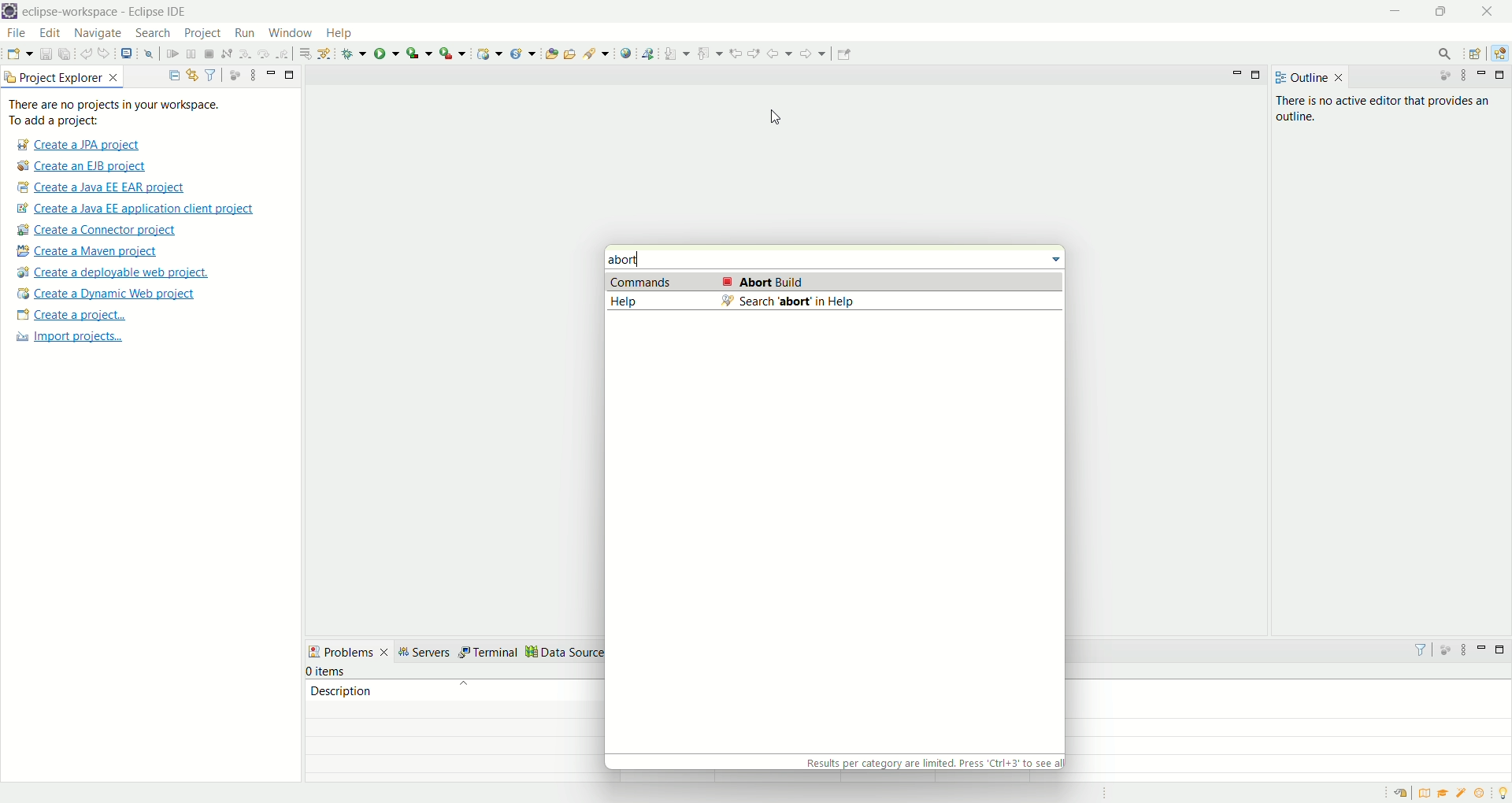 The height and width of the screenshot is (803, 1512). Describe the element at coordinates (190, 54) in the screenshot. I see `suspend` at that location.